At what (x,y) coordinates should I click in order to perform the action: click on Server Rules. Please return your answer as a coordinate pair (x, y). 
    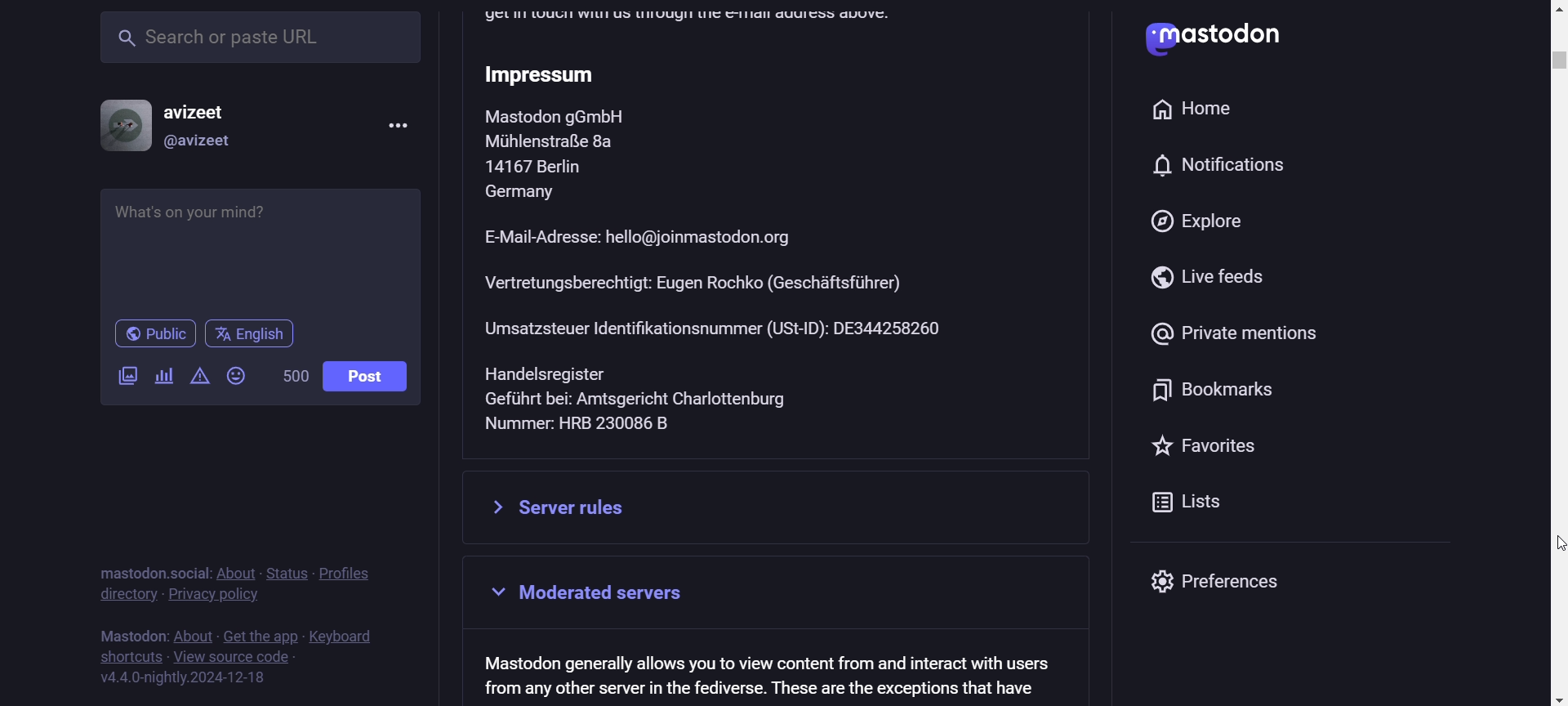
    Looking at the image, I should click on (779, 507).